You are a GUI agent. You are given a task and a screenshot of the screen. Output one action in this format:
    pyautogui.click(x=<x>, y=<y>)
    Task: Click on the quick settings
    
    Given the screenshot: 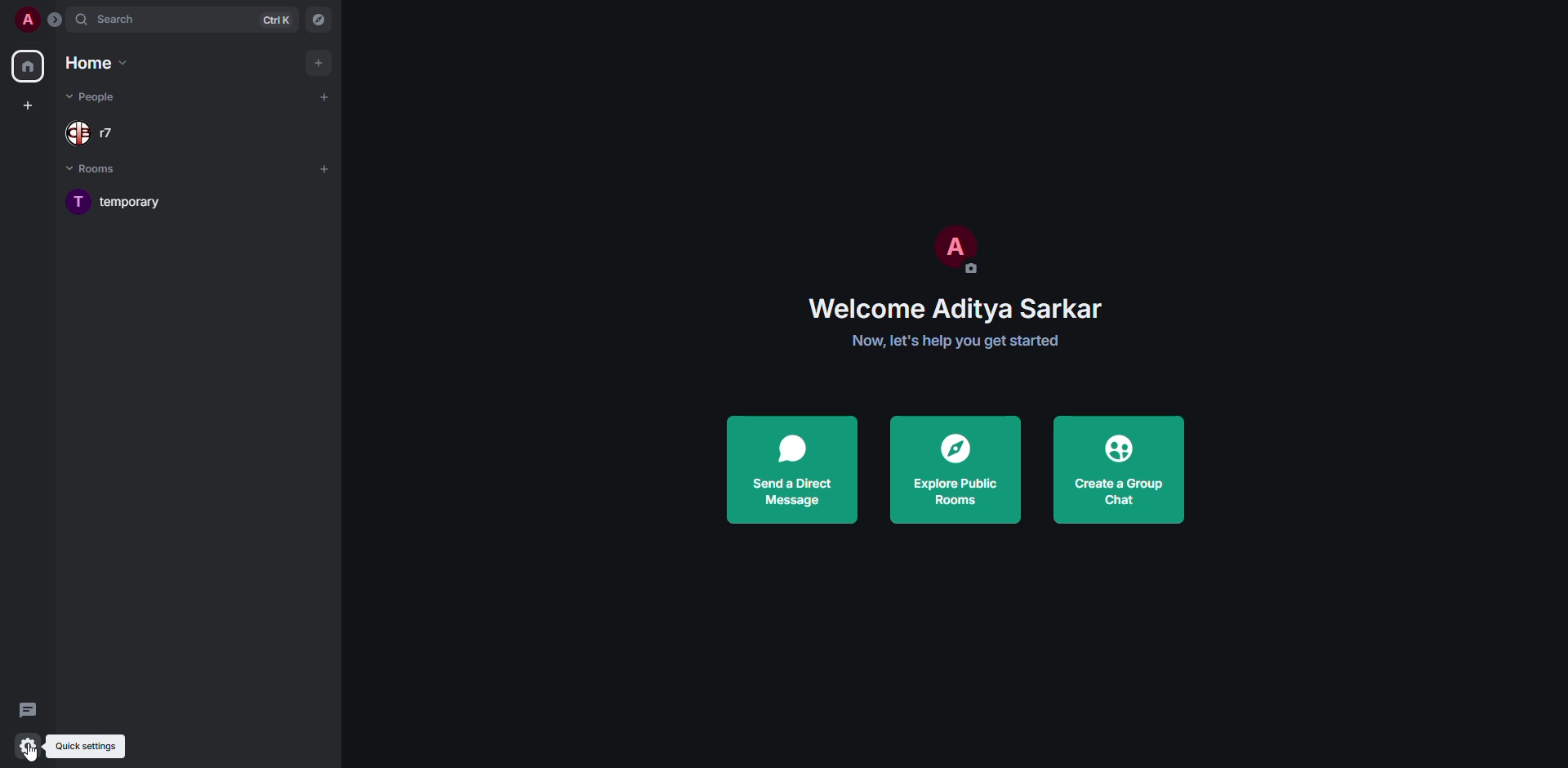 What is the action you would take?
    pyautogui.click(x=28, y=745)
    